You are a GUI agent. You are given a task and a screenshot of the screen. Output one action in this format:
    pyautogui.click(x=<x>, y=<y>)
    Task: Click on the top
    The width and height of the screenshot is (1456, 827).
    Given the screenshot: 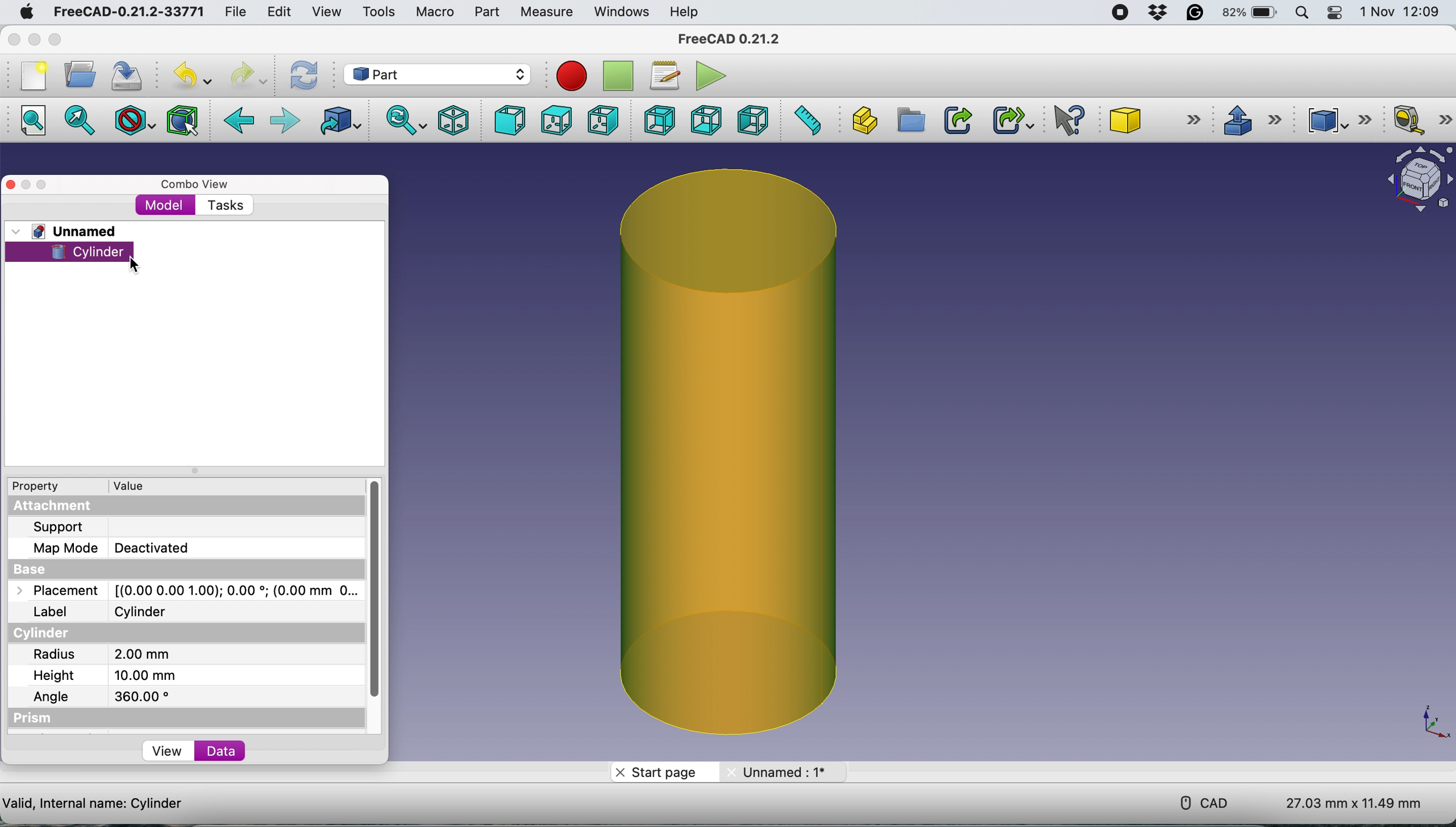 What is the action you would take?
    pyautogui.click(x=554, y=120)
    